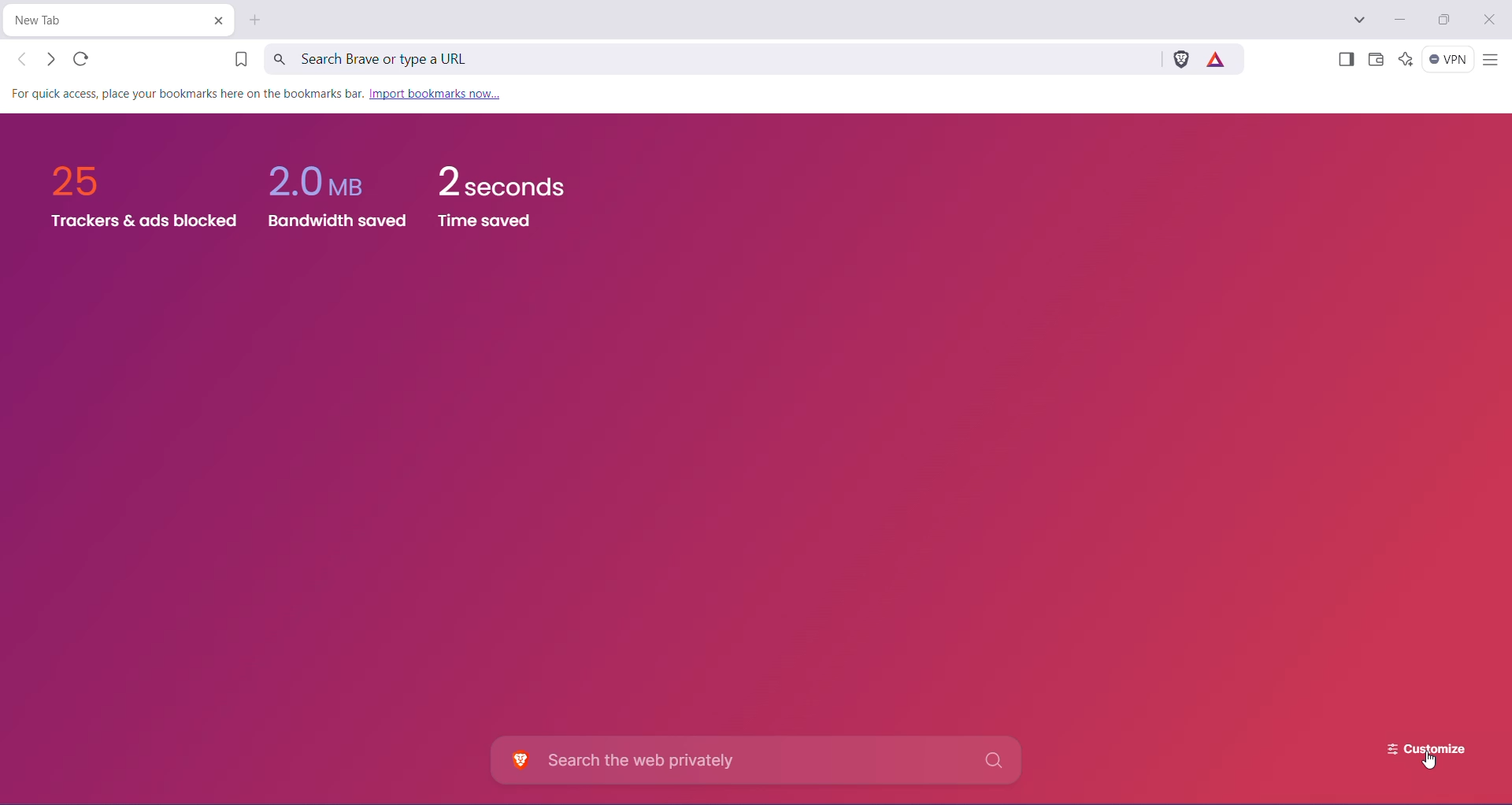 The width and height of the screenshot is (1512, 805). Describe the element at coordinates (1219, 58) in the screenshot. I see `Earn tokens for private Ads you see in Brave` at that location.